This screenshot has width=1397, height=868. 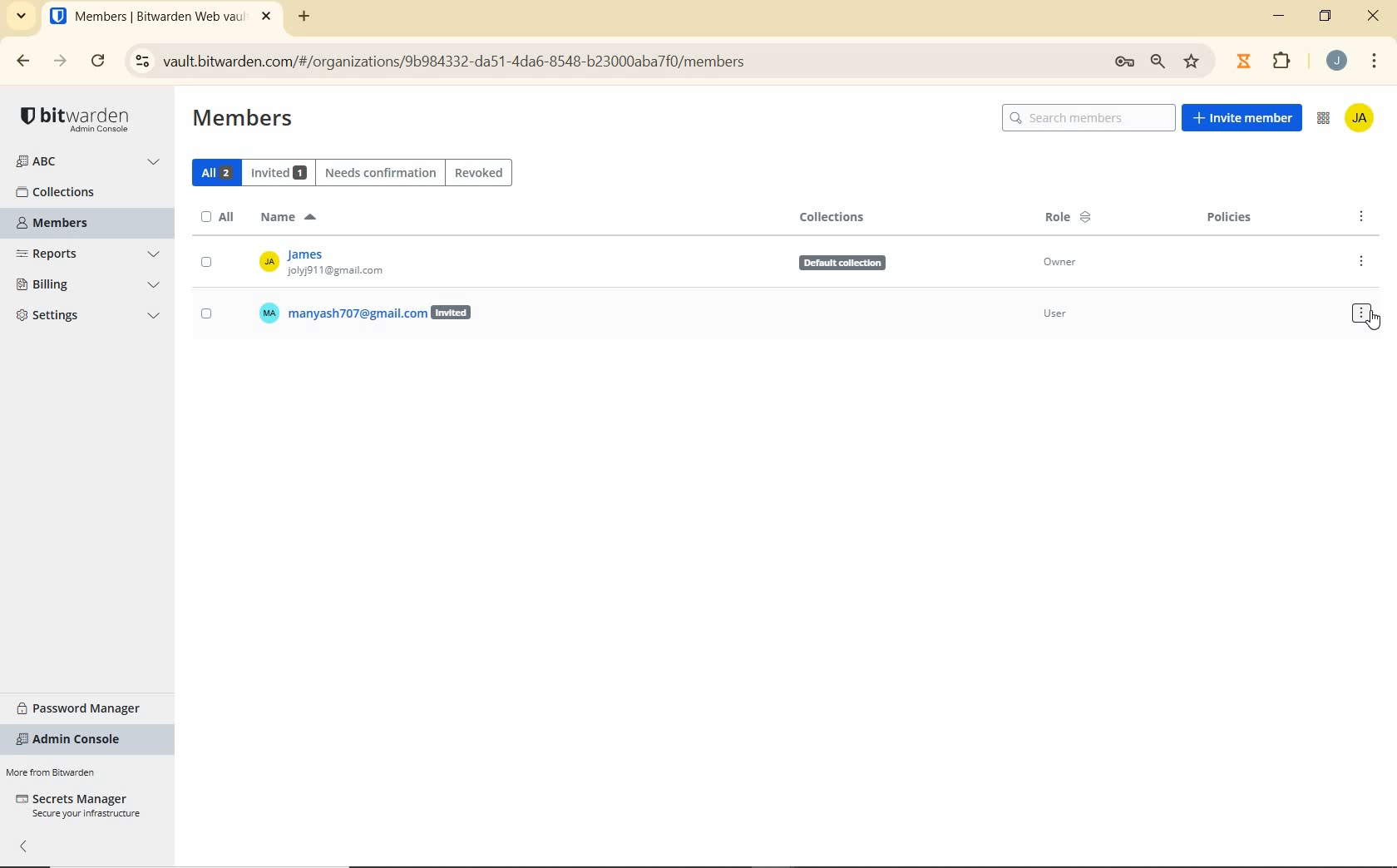 I want to click on SEARCH MEMBERS, so click(x=1087, y=118).